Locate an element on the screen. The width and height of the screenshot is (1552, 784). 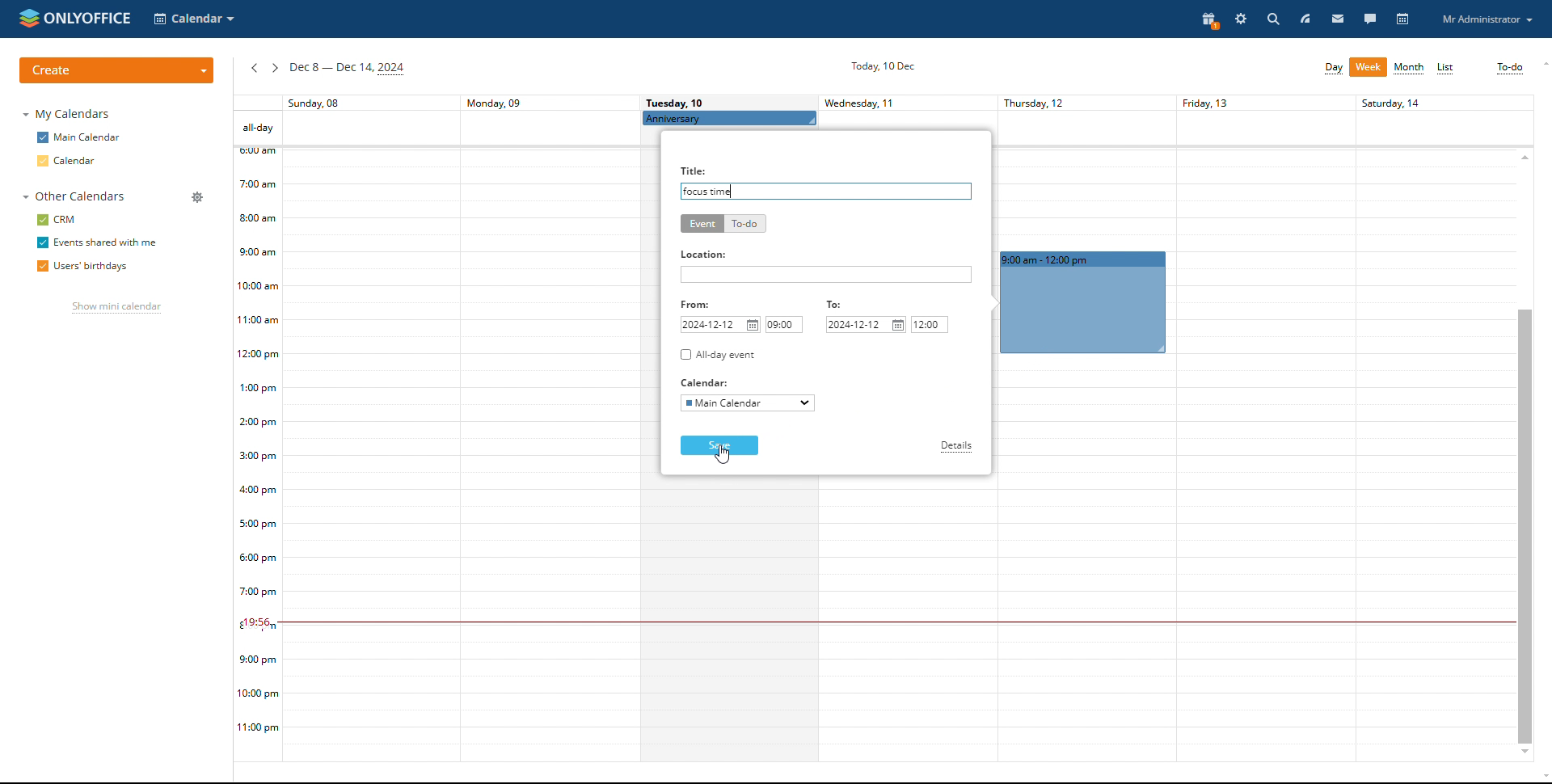
sunday is located at coordinates (370, 430).